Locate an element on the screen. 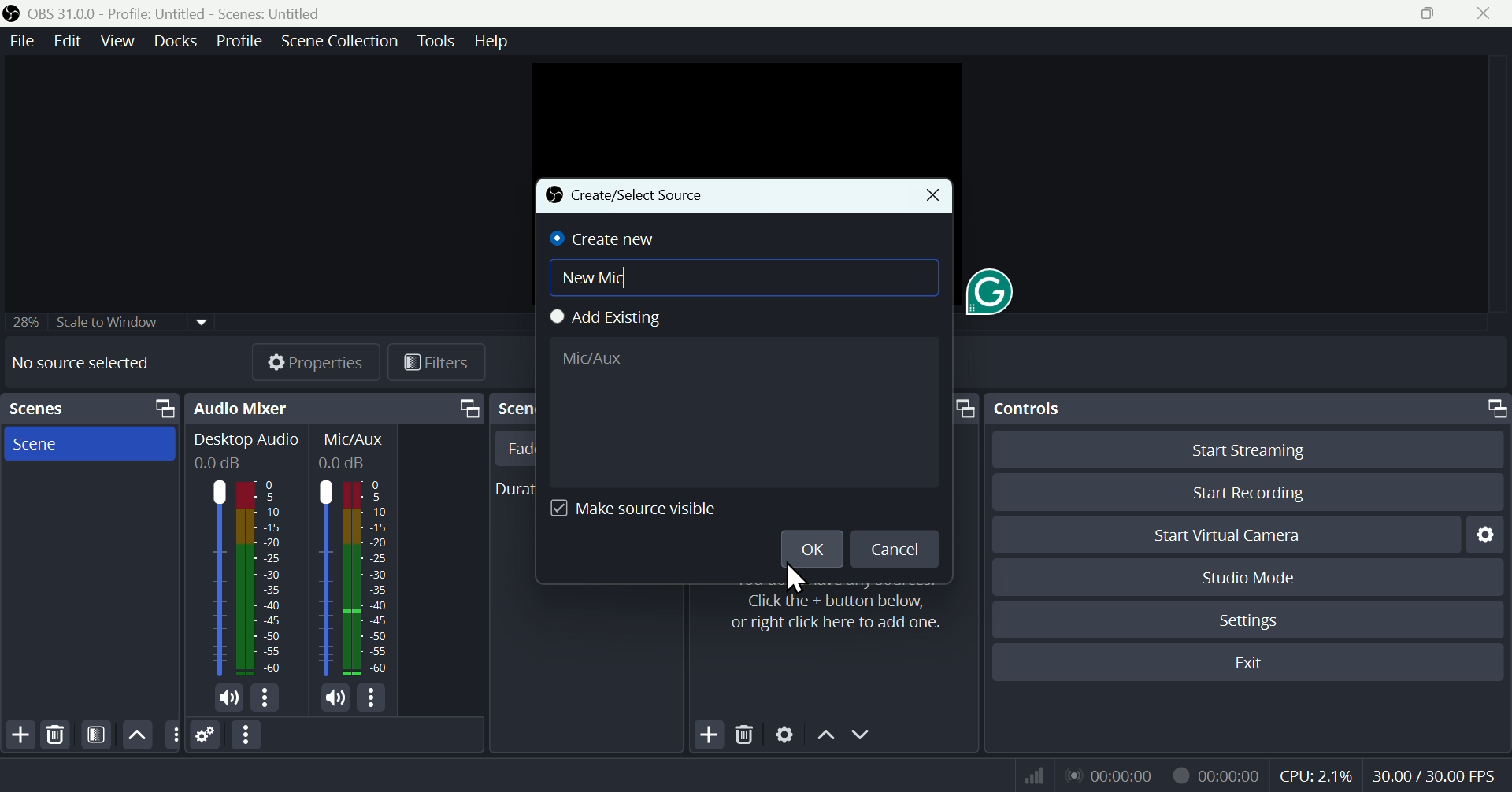  Controls is located at coordinates (1251, 409).